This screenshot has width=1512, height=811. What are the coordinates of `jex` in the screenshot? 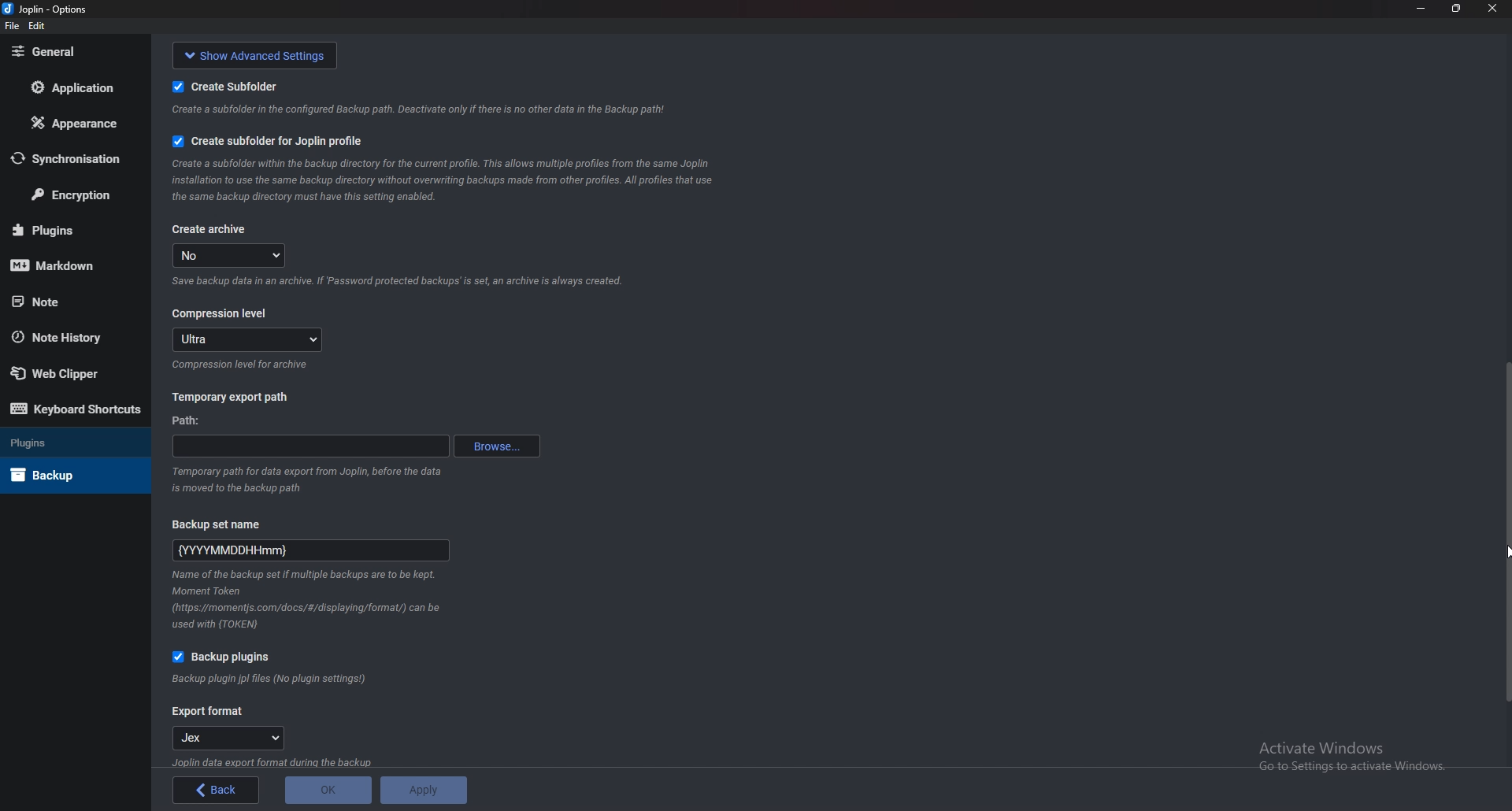 It's located at (230, 739).